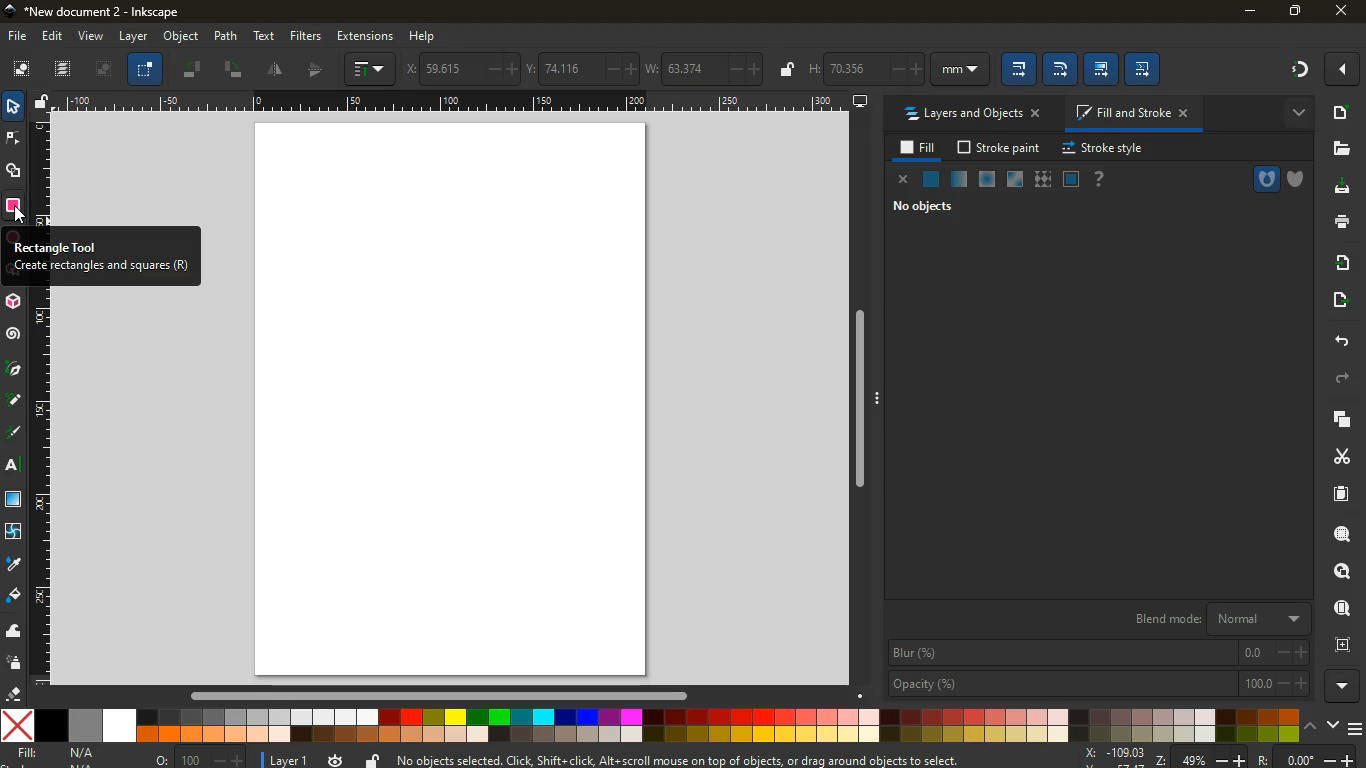 The height and width of the screenshot is (768, 1366). I want to click on o, so click(201, 758).